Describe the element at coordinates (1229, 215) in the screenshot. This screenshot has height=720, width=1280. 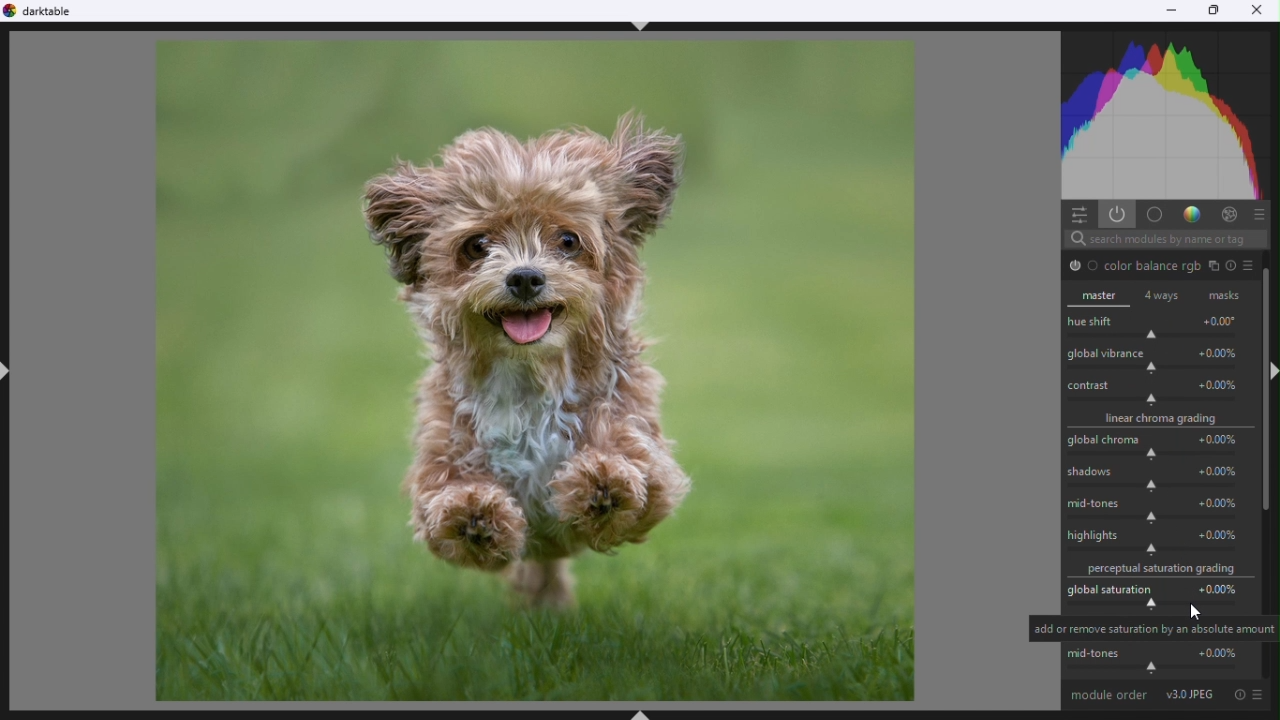
I see `Effect` at that location.